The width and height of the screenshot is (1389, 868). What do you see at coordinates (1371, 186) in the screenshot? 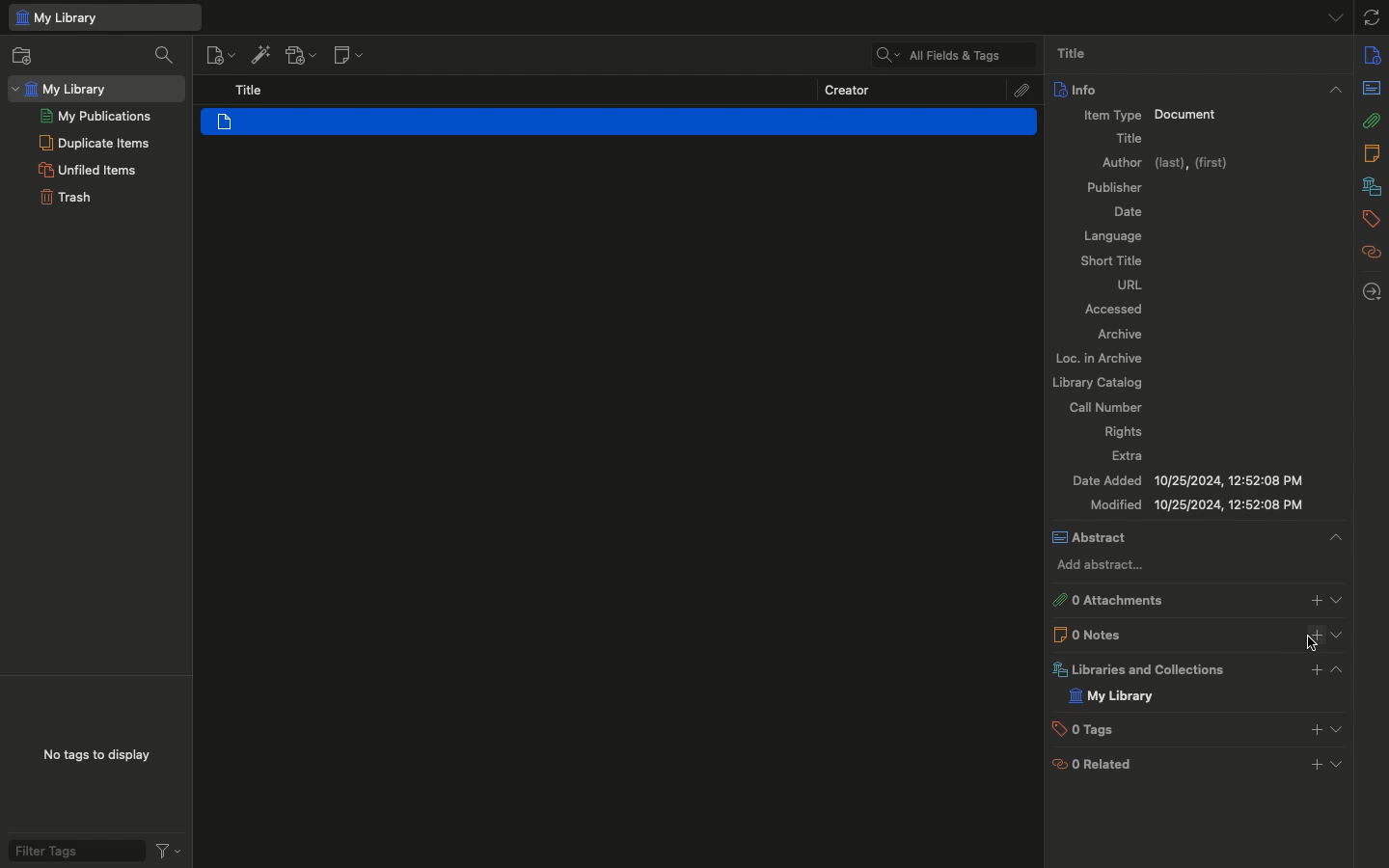
I see `Libraries and collections` at bounding box center [1371, 186].